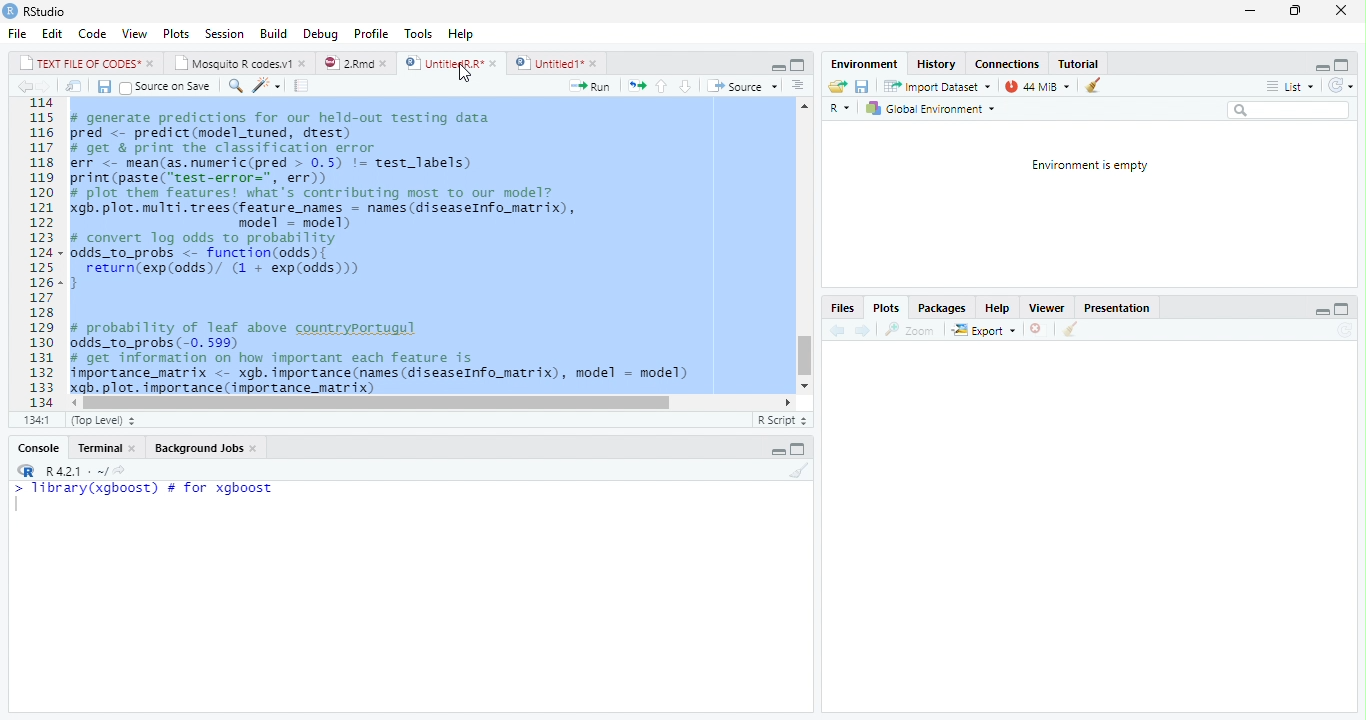 The image size is (1366, 720). Describe the element at coordinates (23, 87) in the screenshot. I see `Previous` at that location.